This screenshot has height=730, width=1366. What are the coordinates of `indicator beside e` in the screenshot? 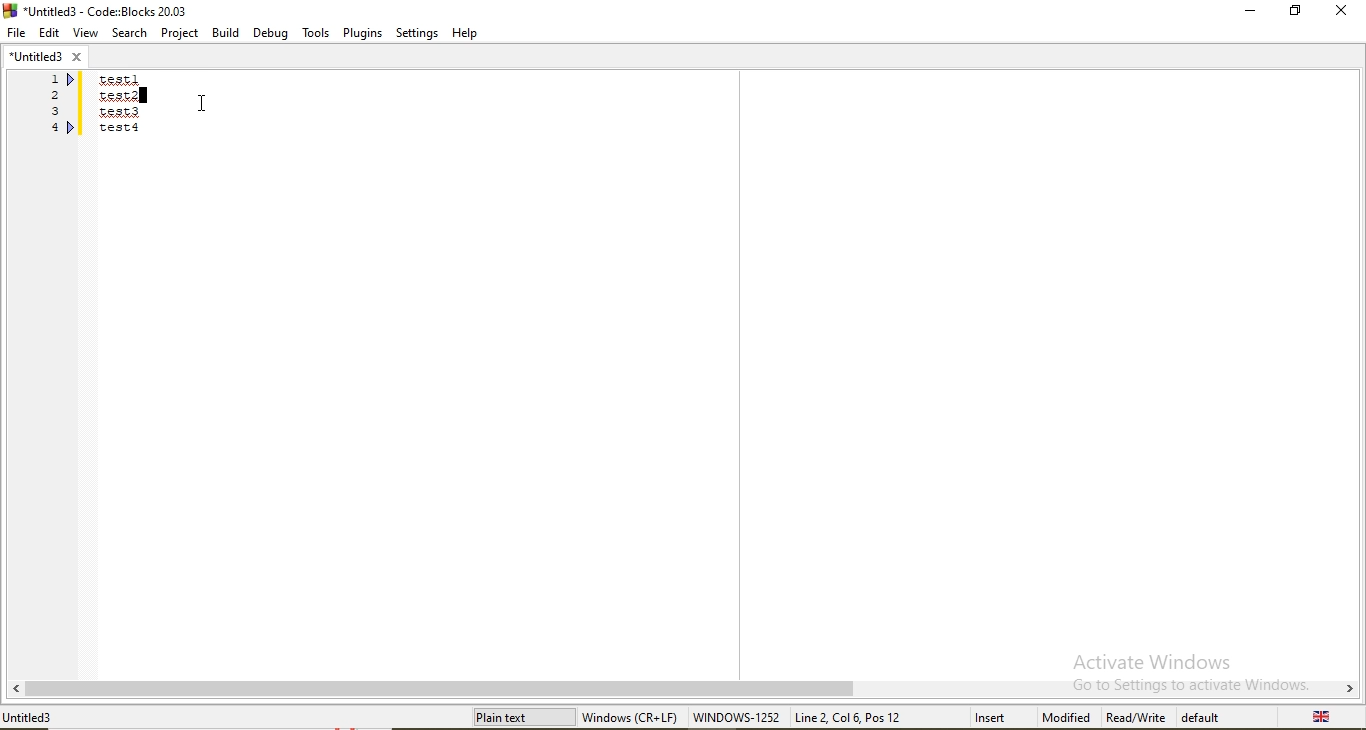 It's located at (73, 127).